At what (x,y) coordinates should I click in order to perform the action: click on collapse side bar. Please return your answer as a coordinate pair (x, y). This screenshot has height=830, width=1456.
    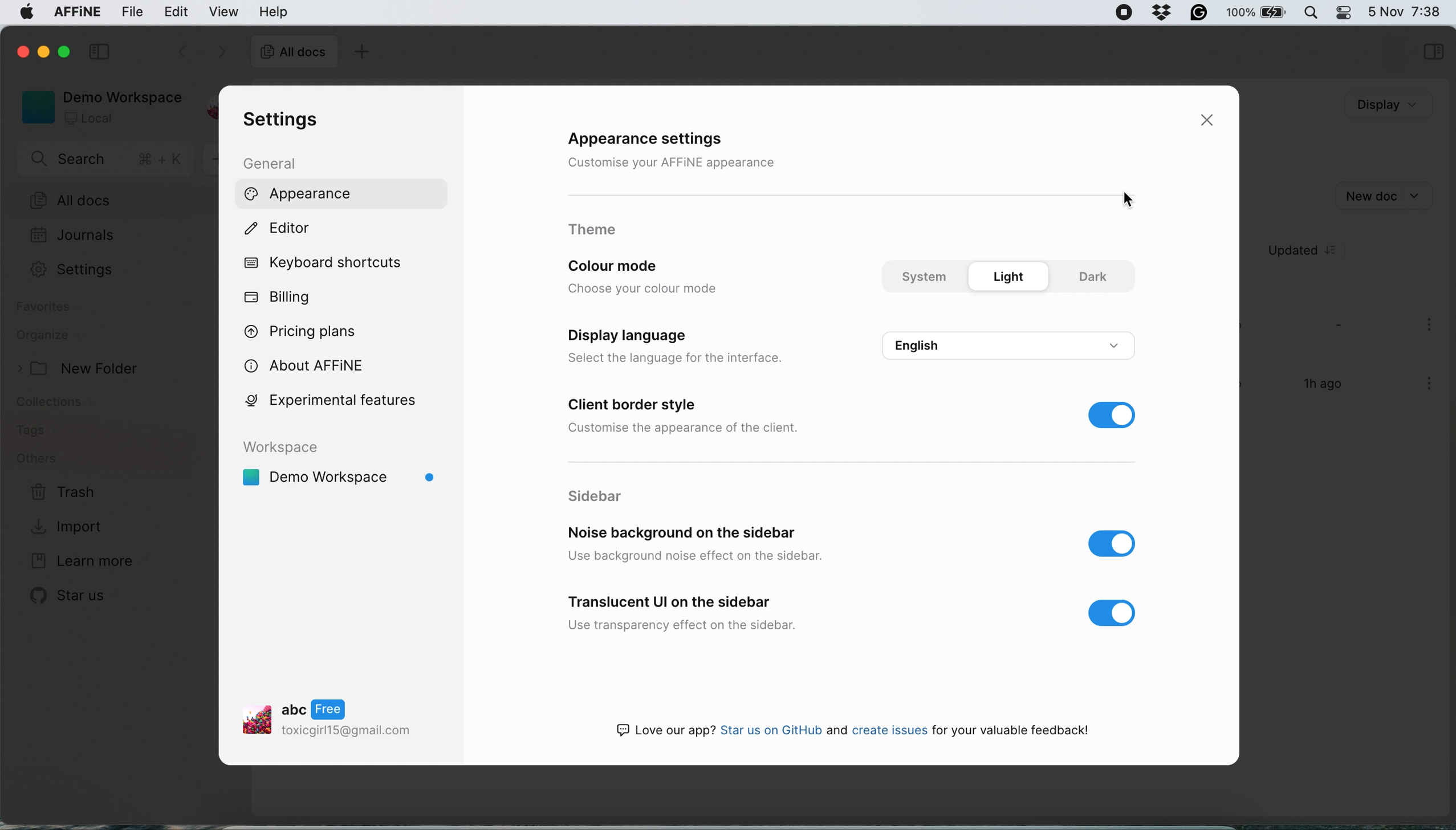
    Looking at the image, I should click on (99, 53).